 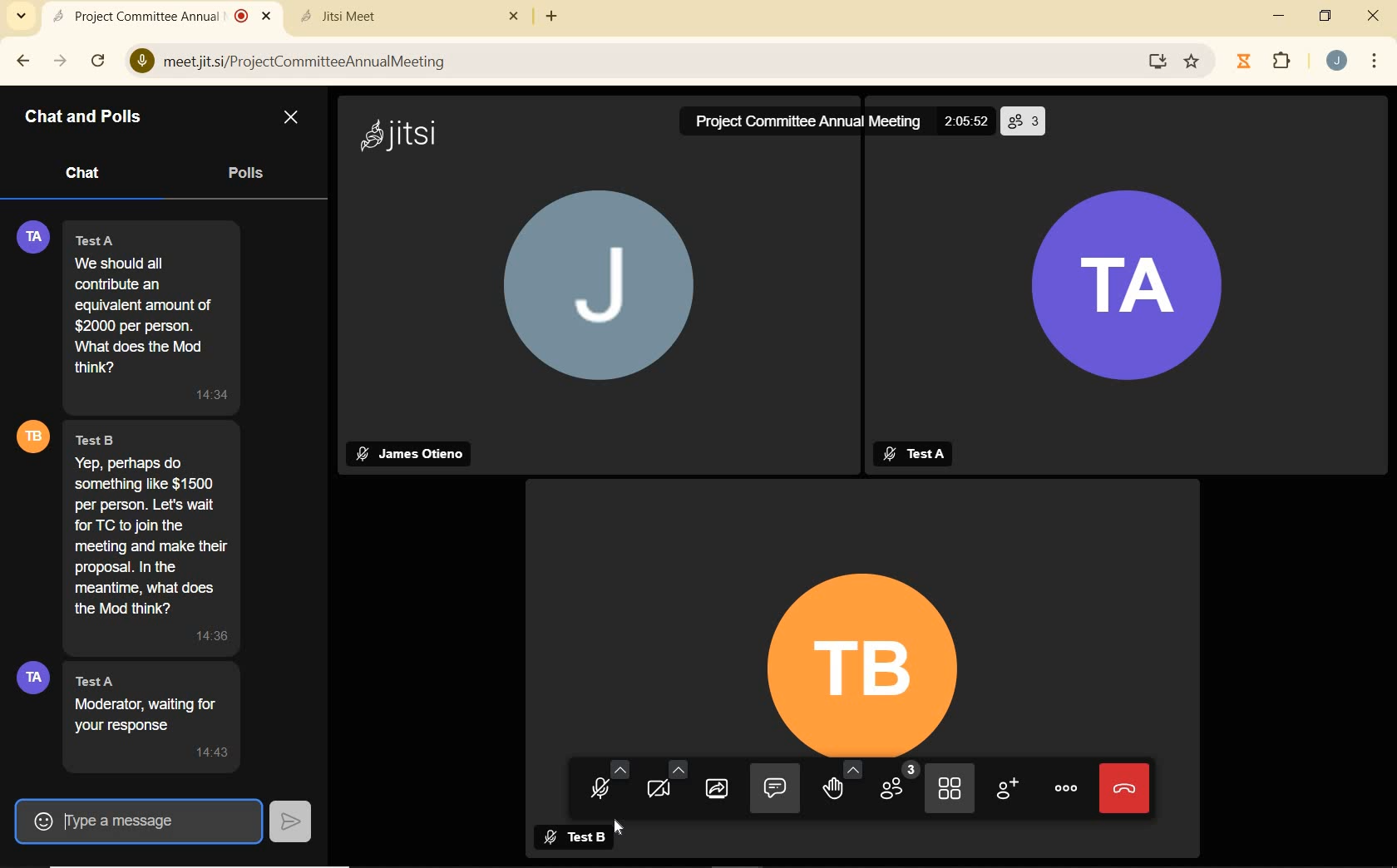 What do you see at coordinates (246, 175) in the screenshot?
I see `polls` at bounding box center [246, 175].